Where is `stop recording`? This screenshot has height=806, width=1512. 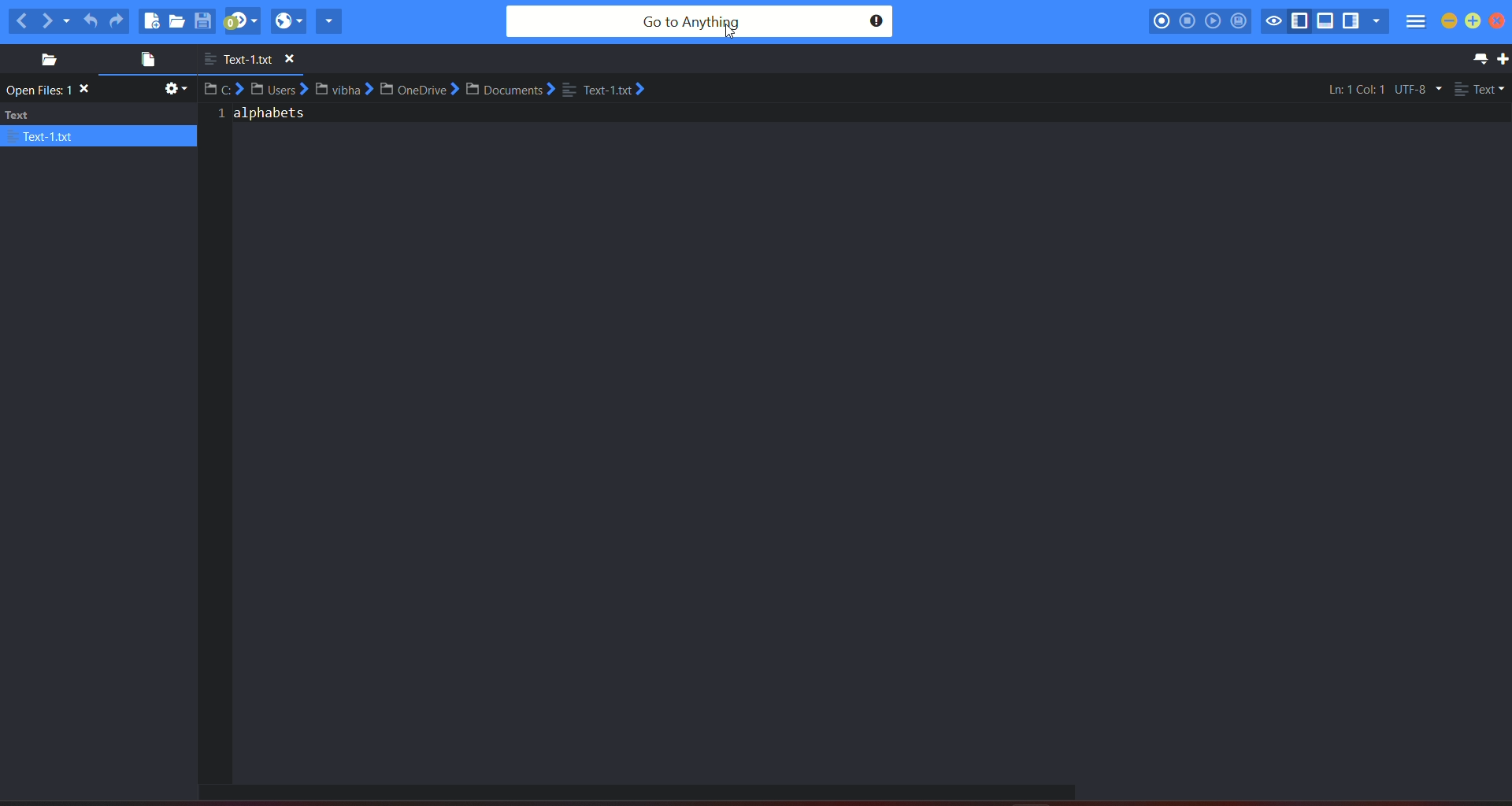
stop recording is located at coordinates (1186, 20).